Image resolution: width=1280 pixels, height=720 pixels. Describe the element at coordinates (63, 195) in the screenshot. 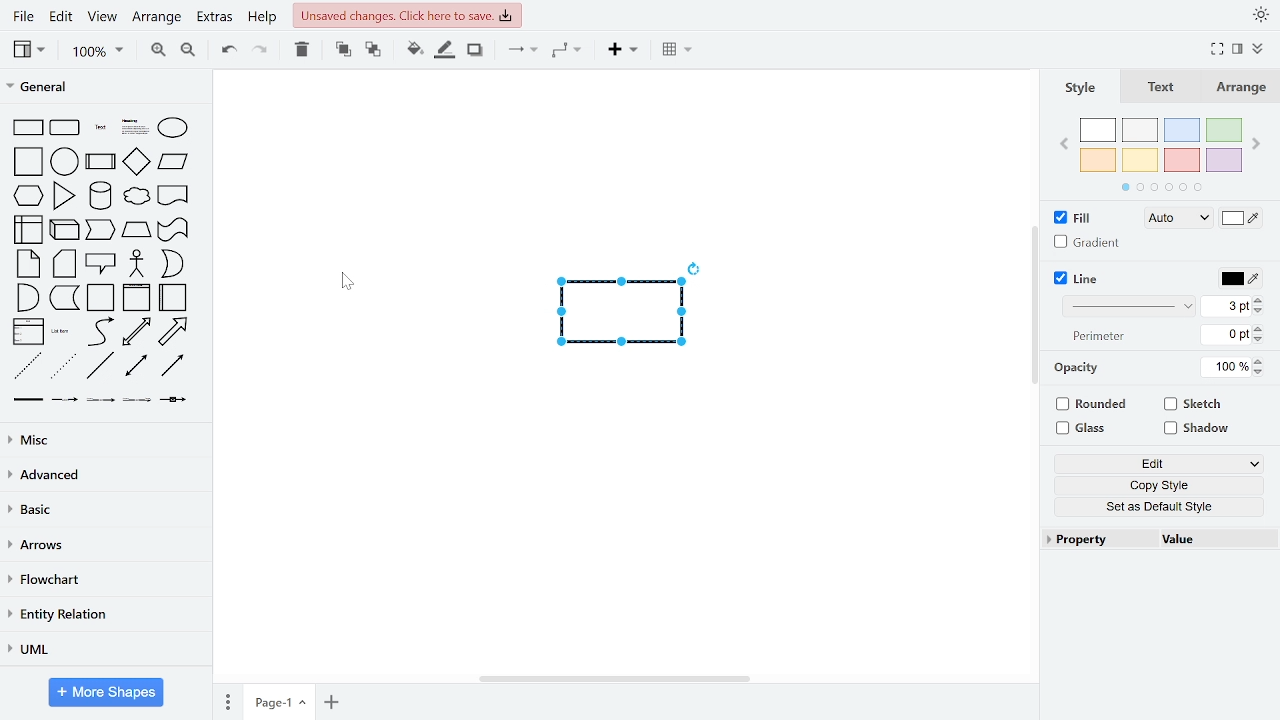

I see `general shapes` at that location.